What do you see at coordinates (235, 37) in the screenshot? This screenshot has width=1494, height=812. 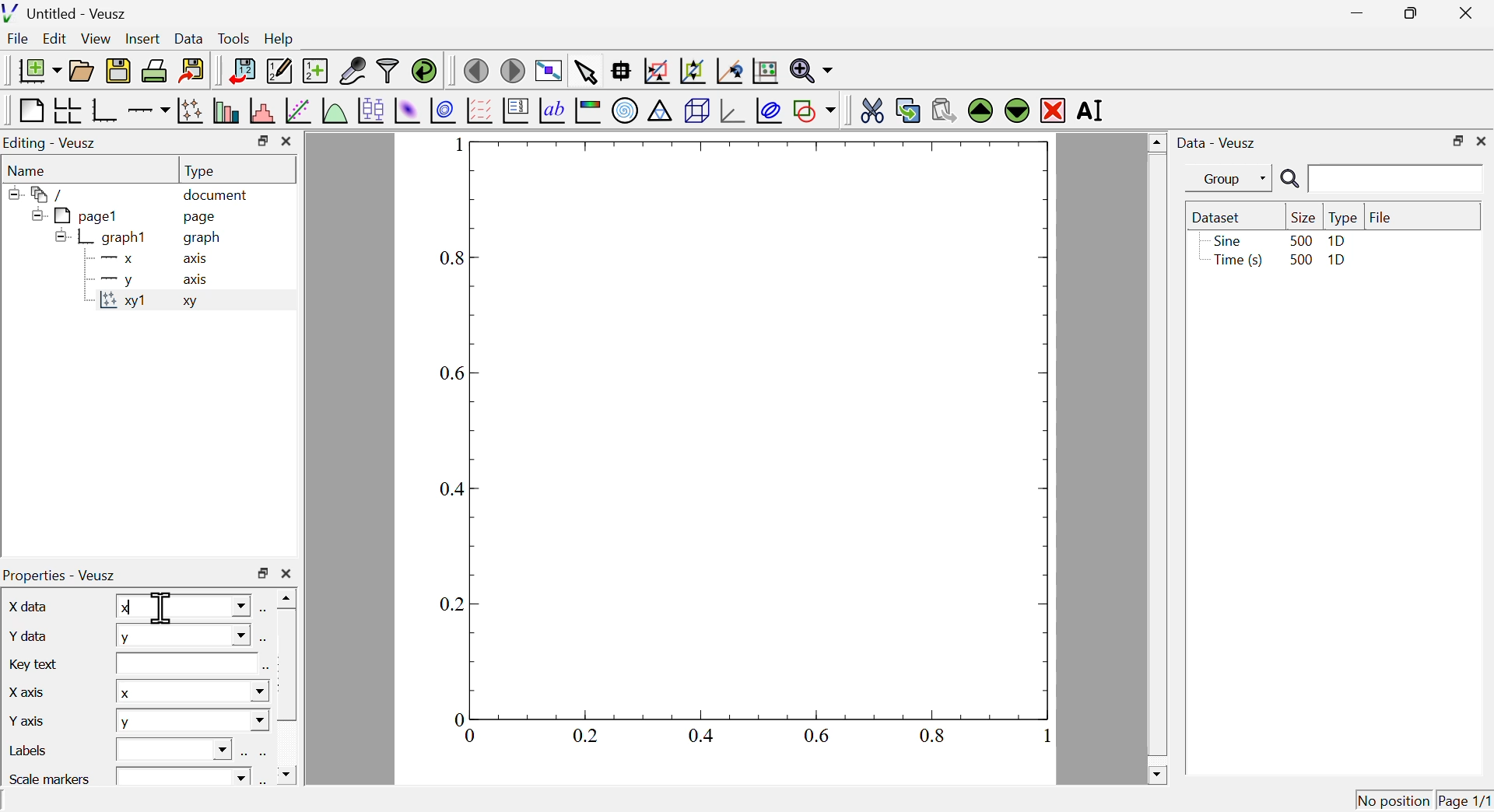 I see `tools` at bounding box center [235, 37].